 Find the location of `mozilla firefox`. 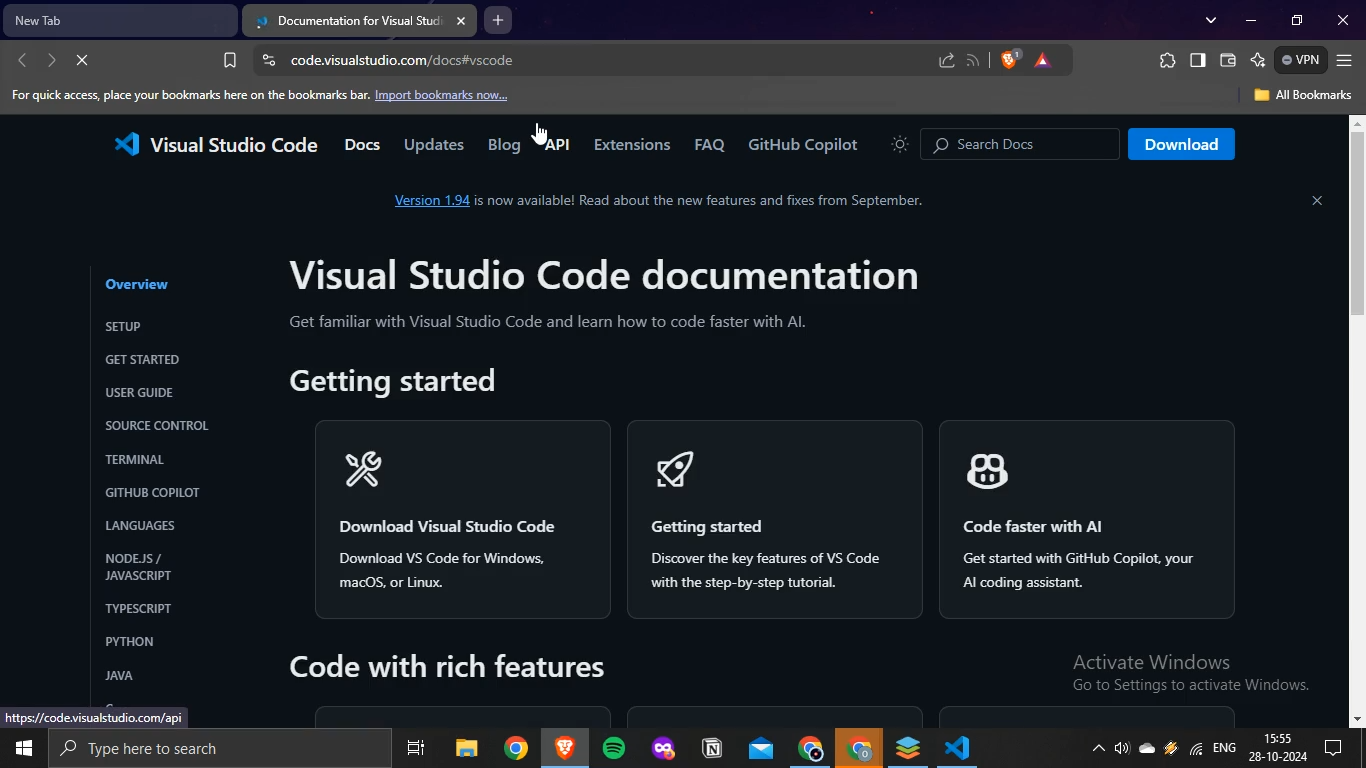

mozilla firefox is located at coordinates (662, 749).